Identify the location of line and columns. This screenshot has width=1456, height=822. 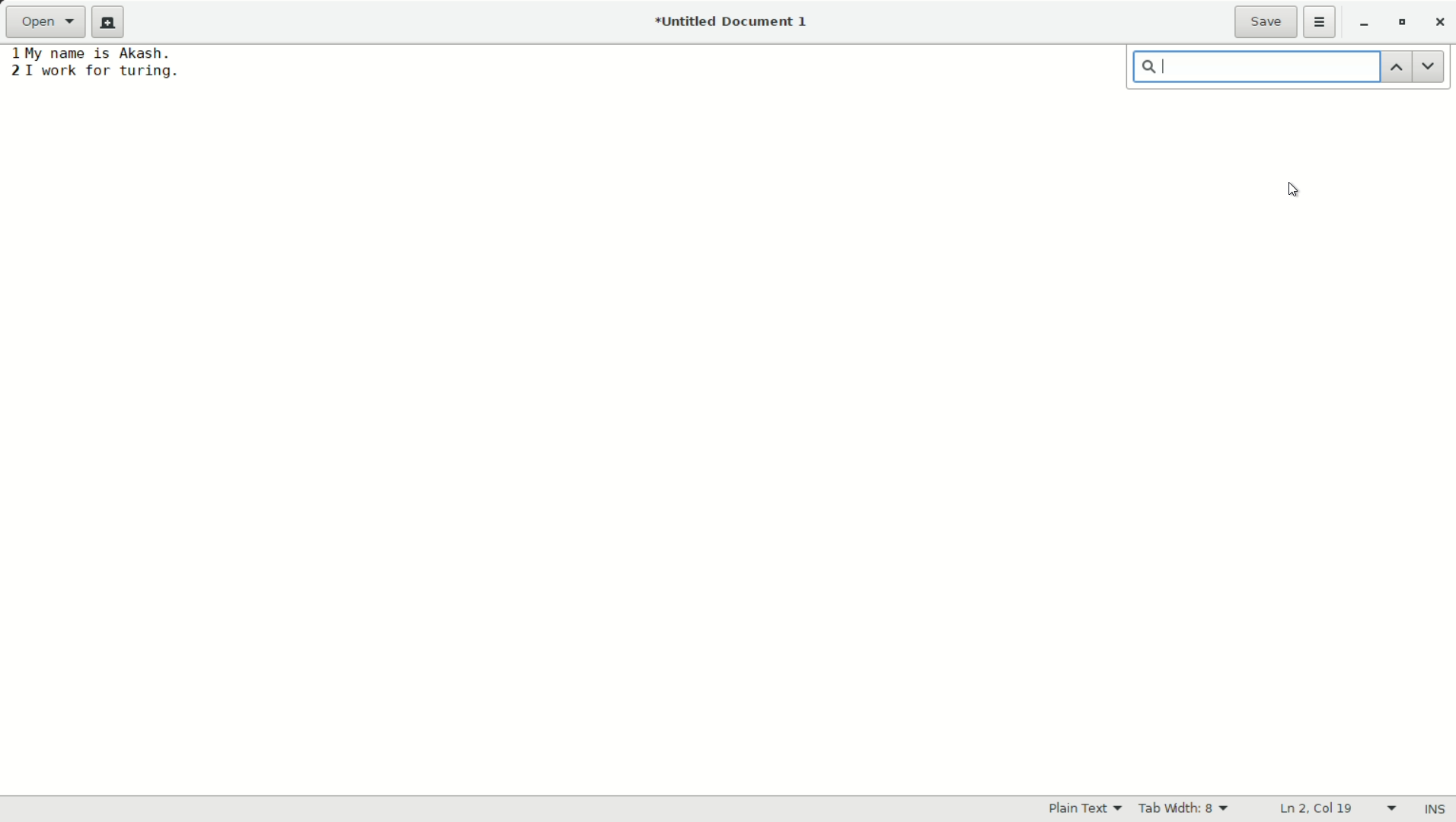
(1339, 808).